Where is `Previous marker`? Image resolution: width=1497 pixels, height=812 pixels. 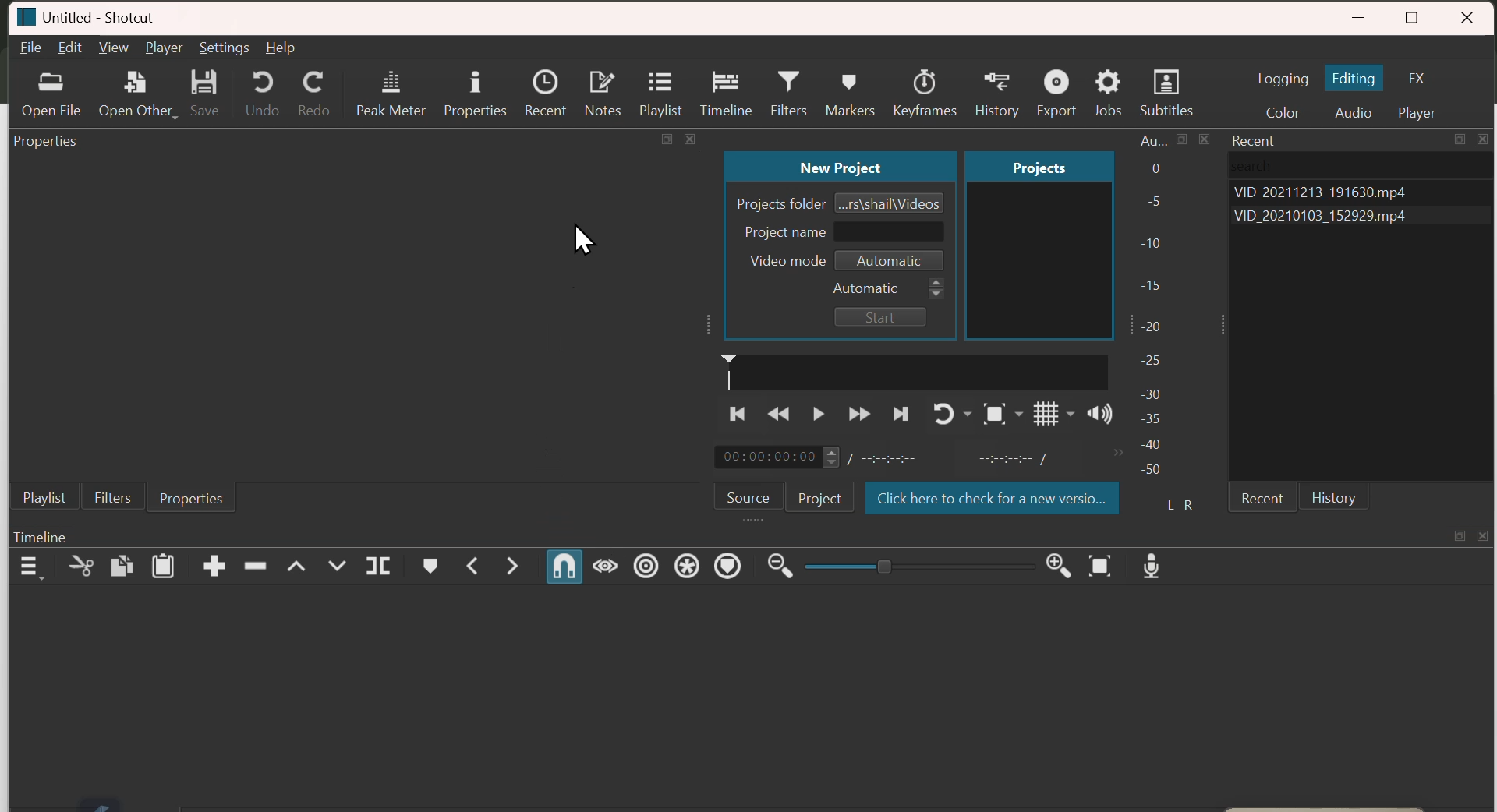 Previous marker is located at coordinates (474, 565).